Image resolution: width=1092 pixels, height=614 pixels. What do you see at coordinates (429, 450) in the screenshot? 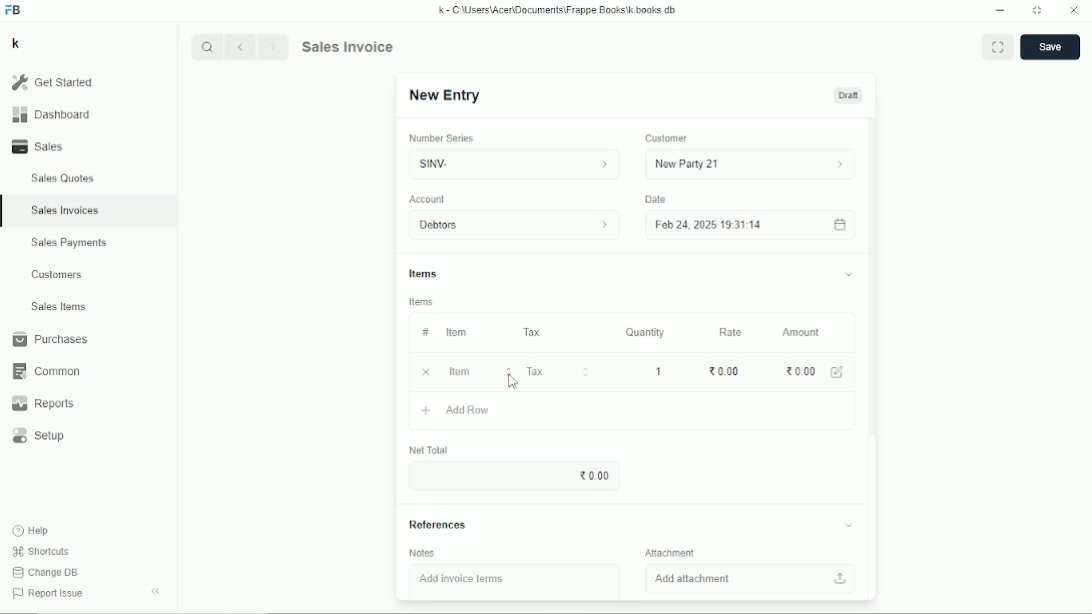
I see `Net total` at bounding box center [429, 450].